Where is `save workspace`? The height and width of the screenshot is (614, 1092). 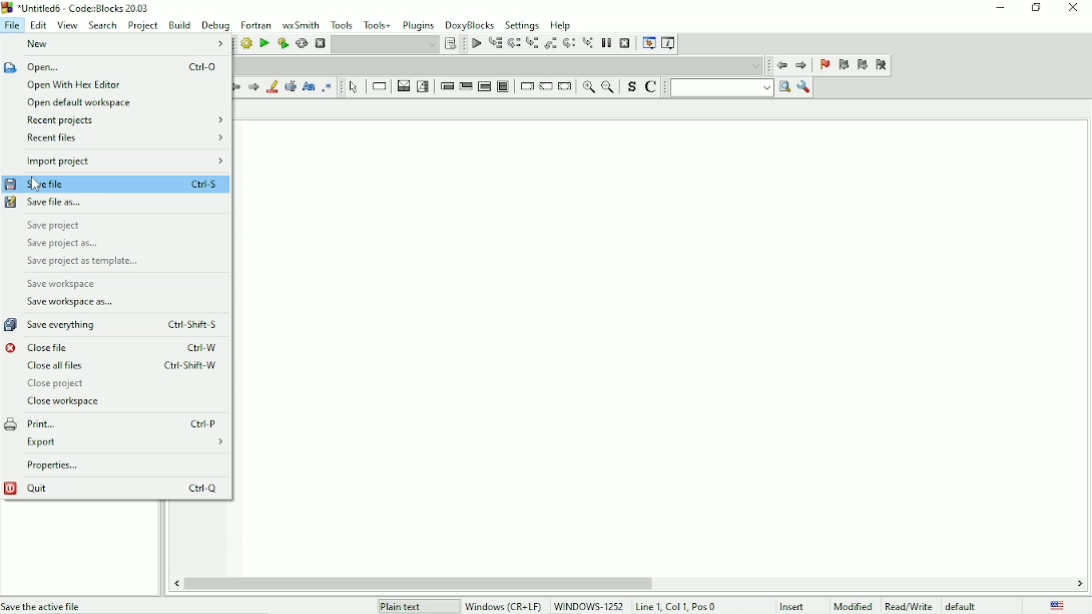
save workspace is located at coordinates (67, 284).